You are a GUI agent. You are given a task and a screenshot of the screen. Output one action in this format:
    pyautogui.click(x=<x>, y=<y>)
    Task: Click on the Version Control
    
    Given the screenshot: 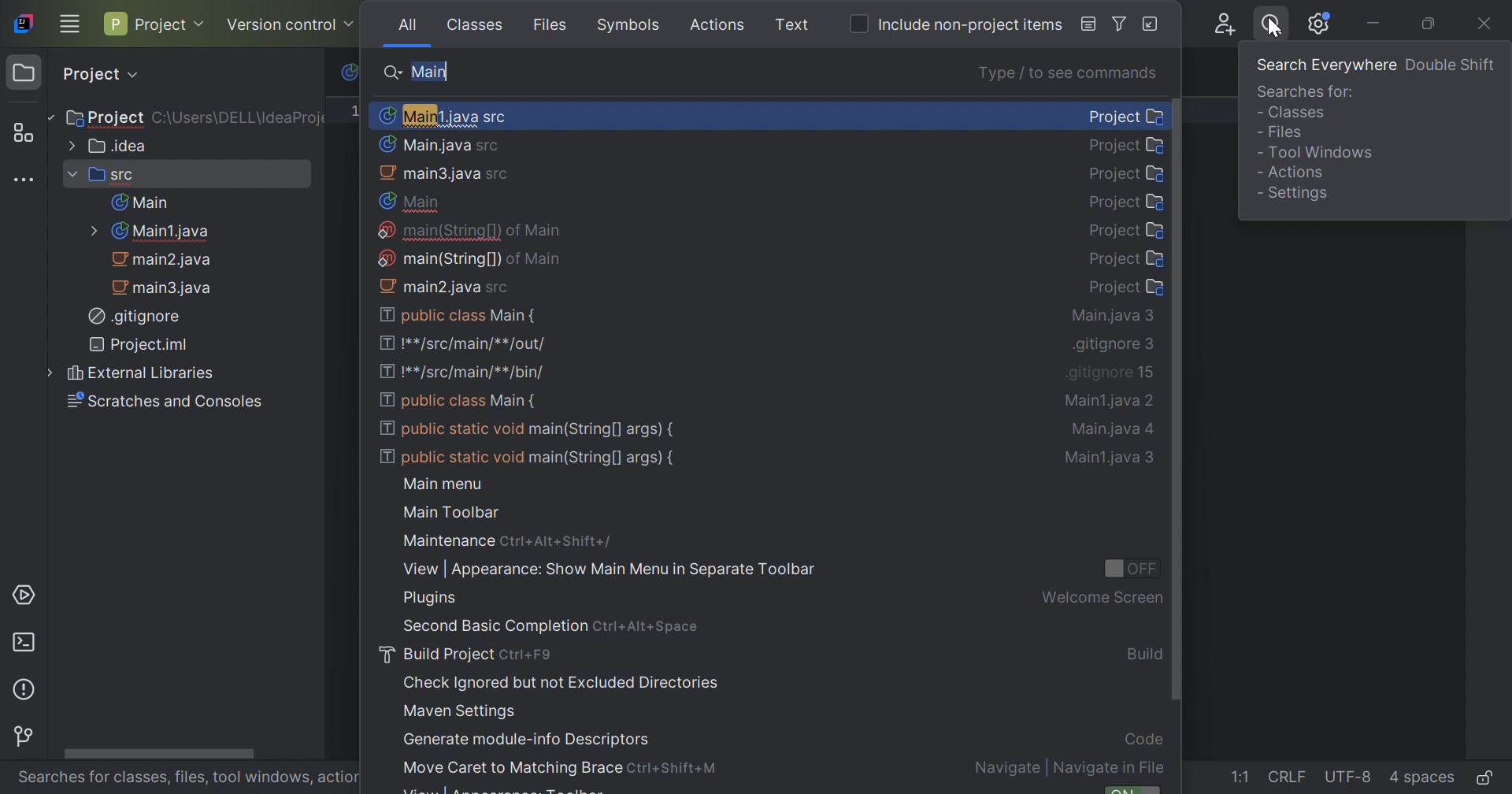 What is the action you would take?
    pyautogui.click(x=24, y=737)
    